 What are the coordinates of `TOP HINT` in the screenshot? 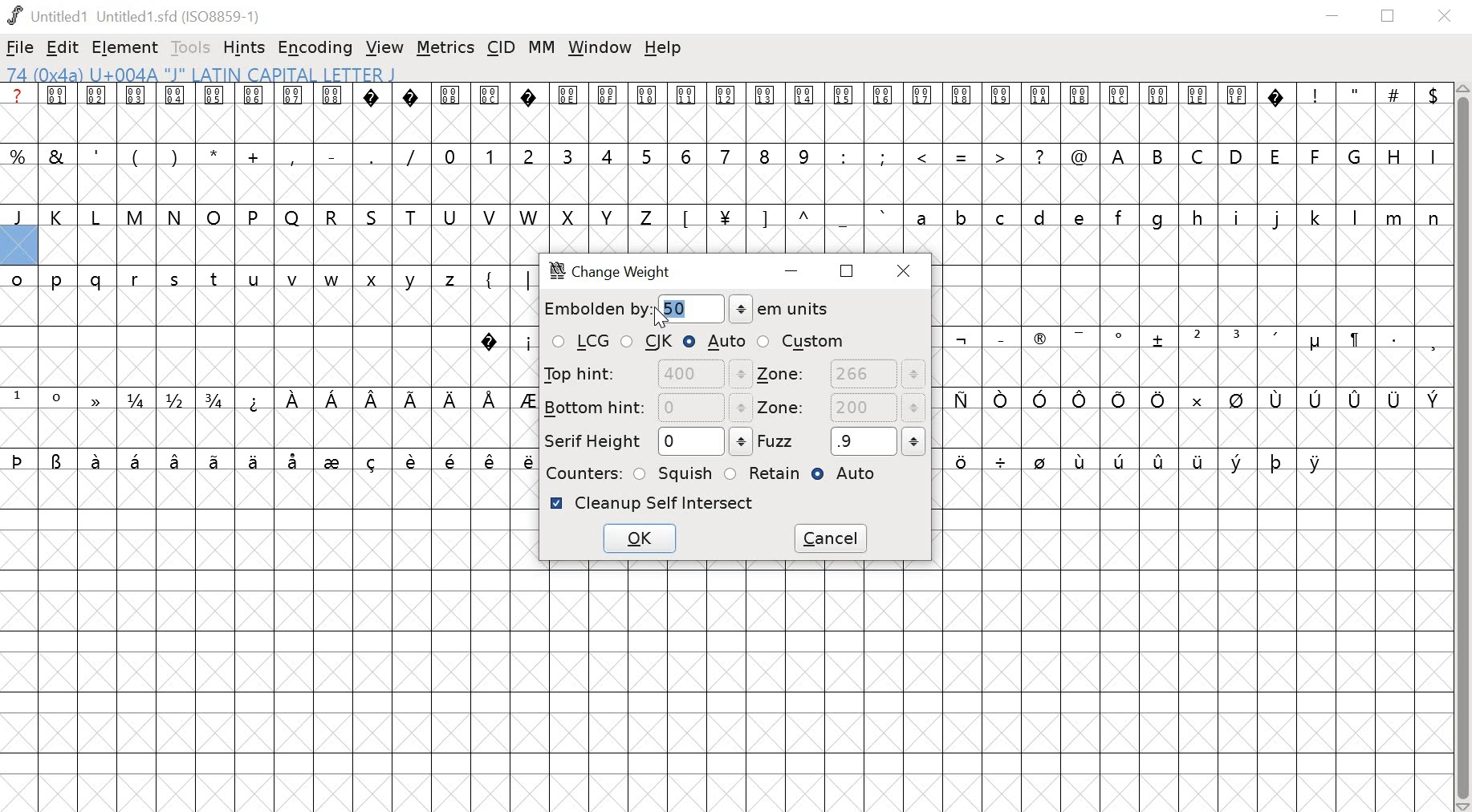 It's located at (645, 374).